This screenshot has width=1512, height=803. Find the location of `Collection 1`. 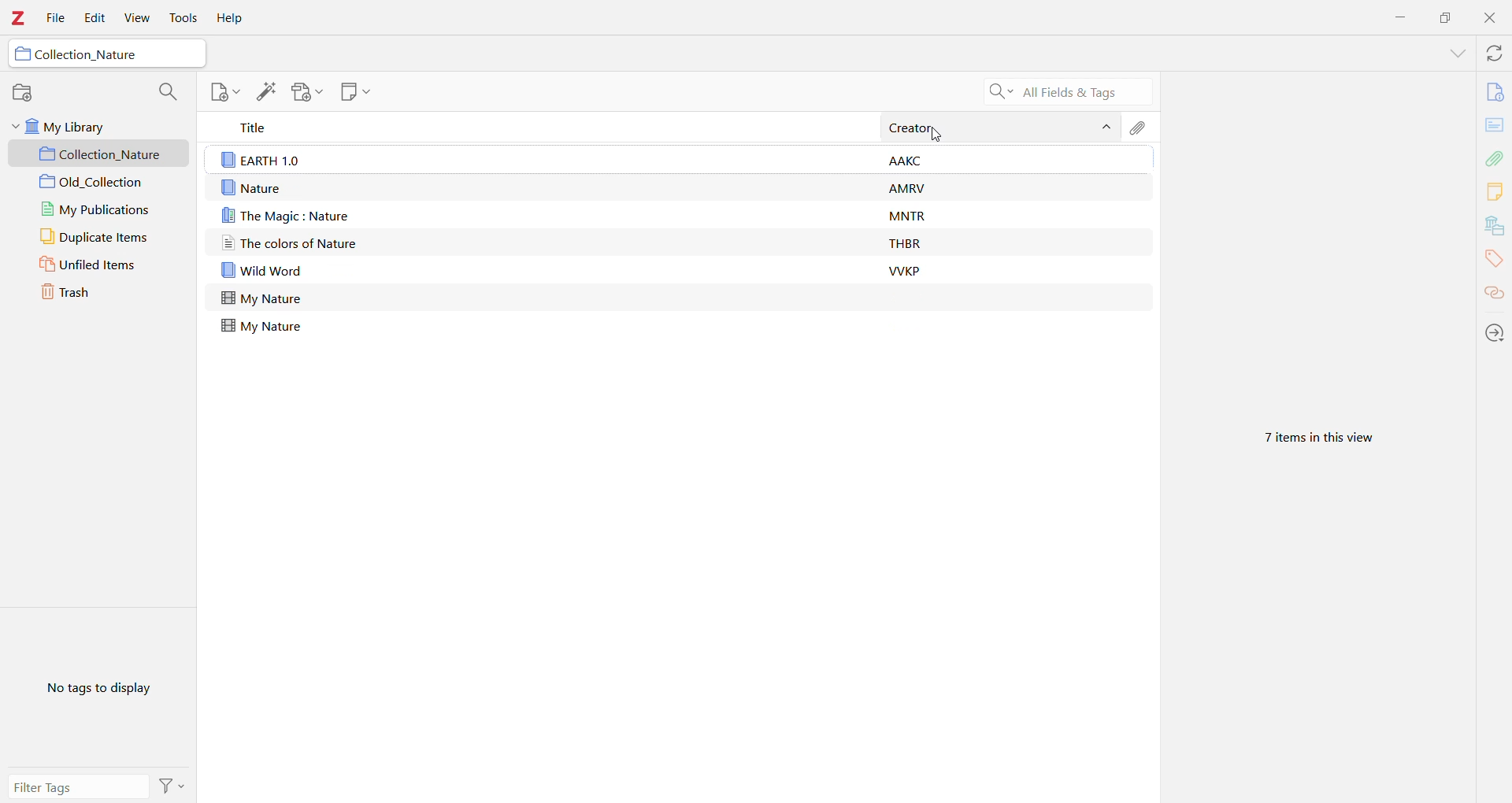

Collection 1 is located at coordinates (103, 154).